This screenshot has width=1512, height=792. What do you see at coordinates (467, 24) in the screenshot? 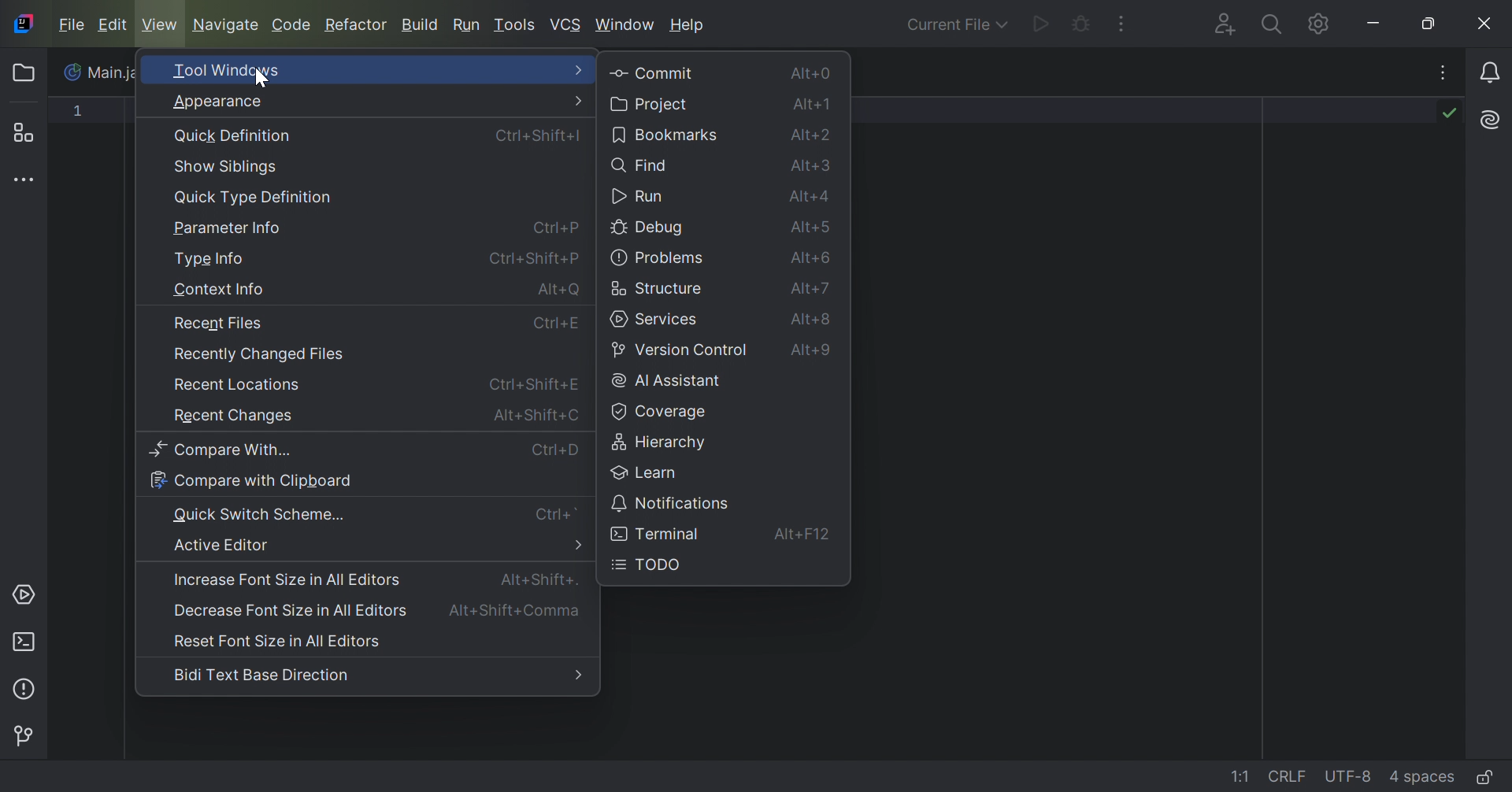
I see `Run` at bounding box center [467, 24].